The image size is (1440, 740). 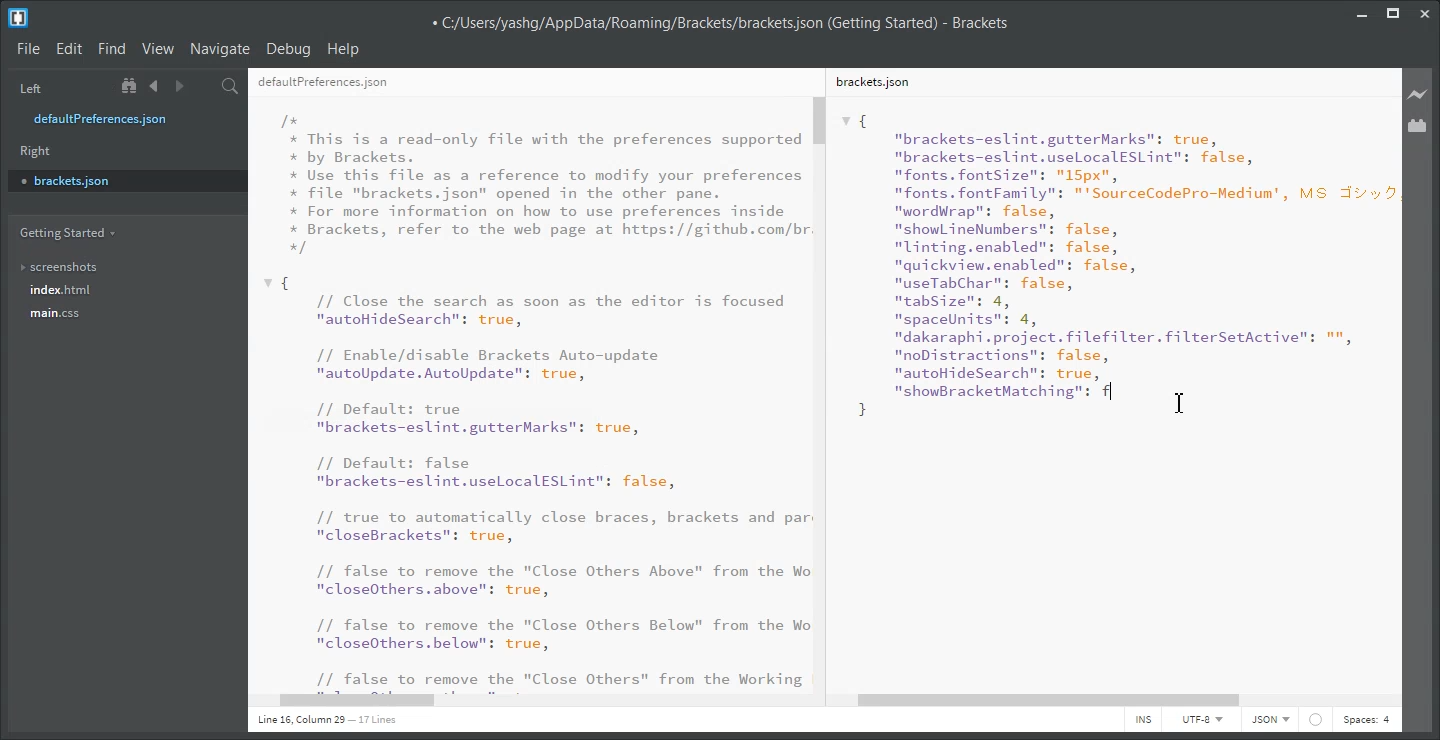 I want to click on Maximize, so click(x=1393, y=11).